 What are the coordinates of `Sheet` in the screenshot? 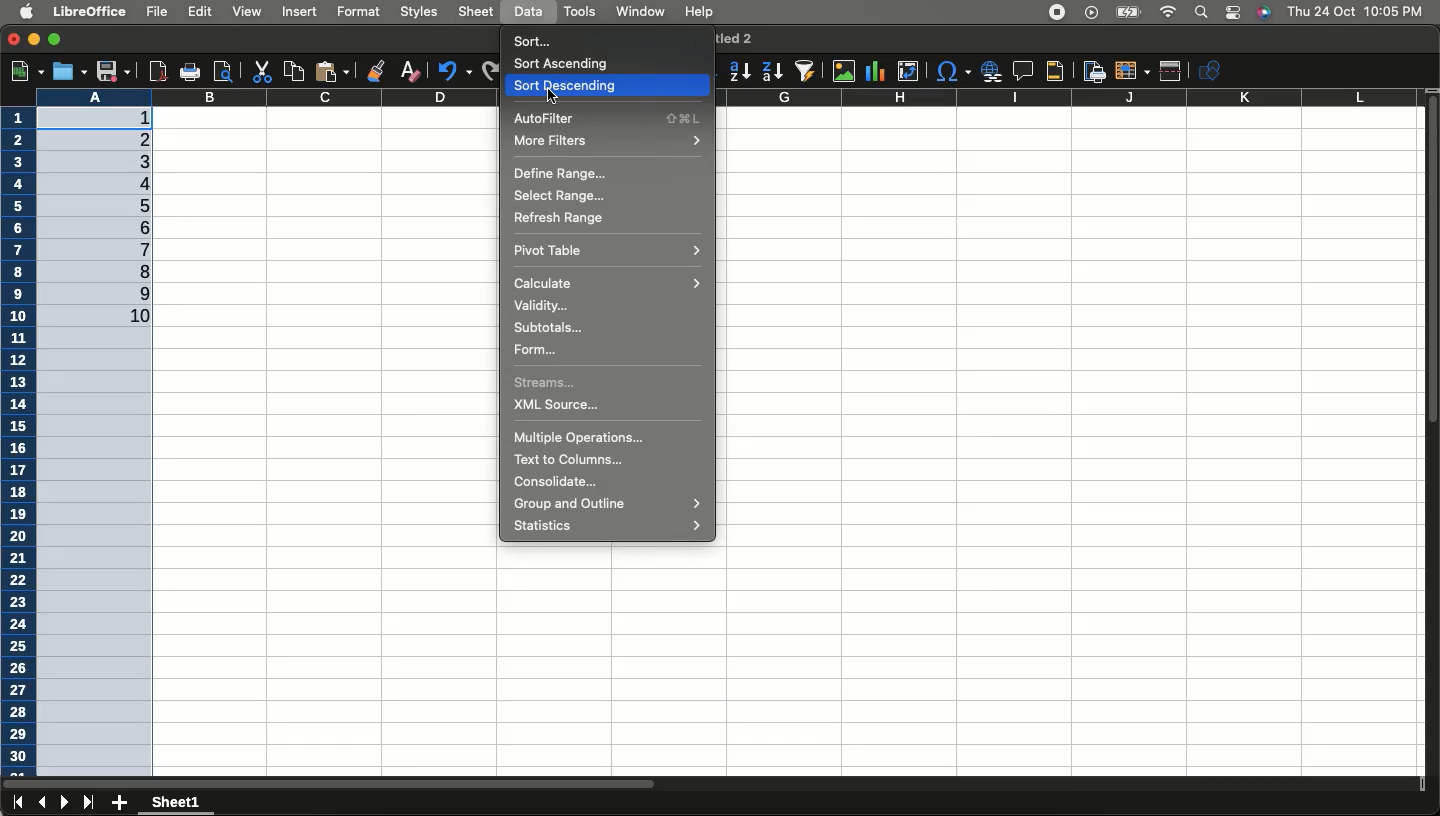 It's located at (477, 12).